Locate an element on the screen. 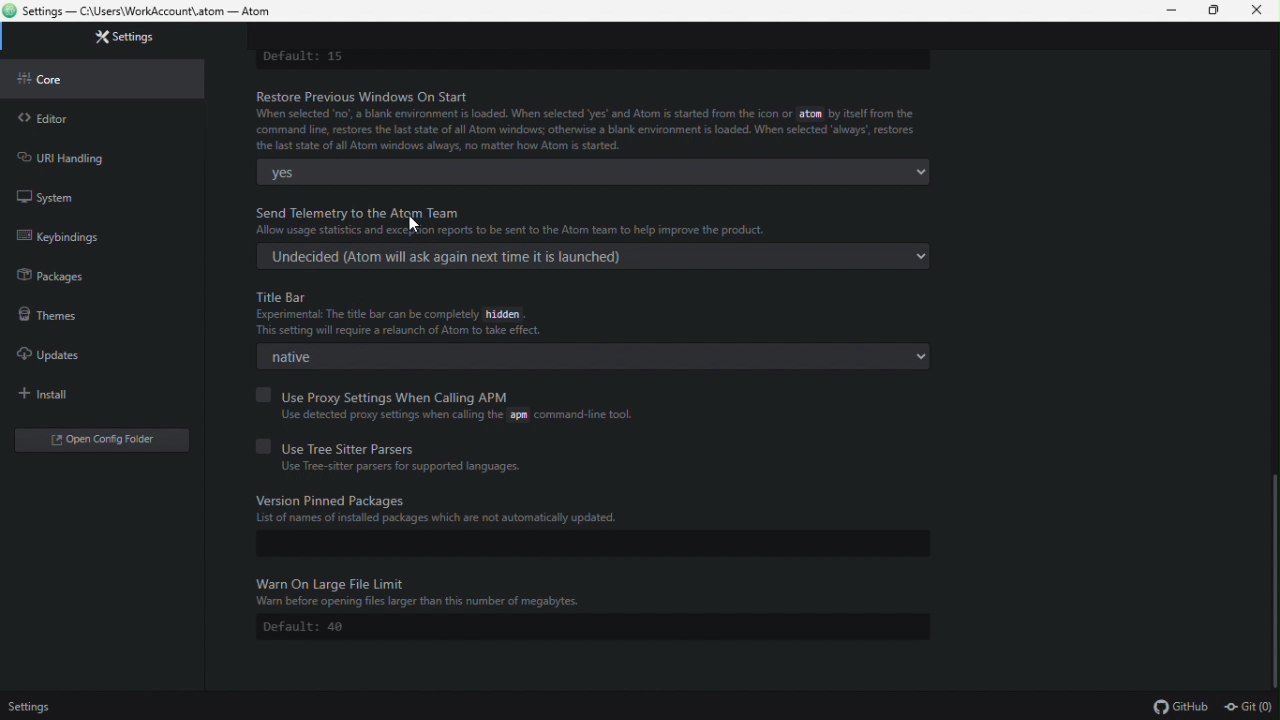 The height and width of the screenshot is (720, 1280). Use Tree sitter parsers is located at coordinates (337, 445).